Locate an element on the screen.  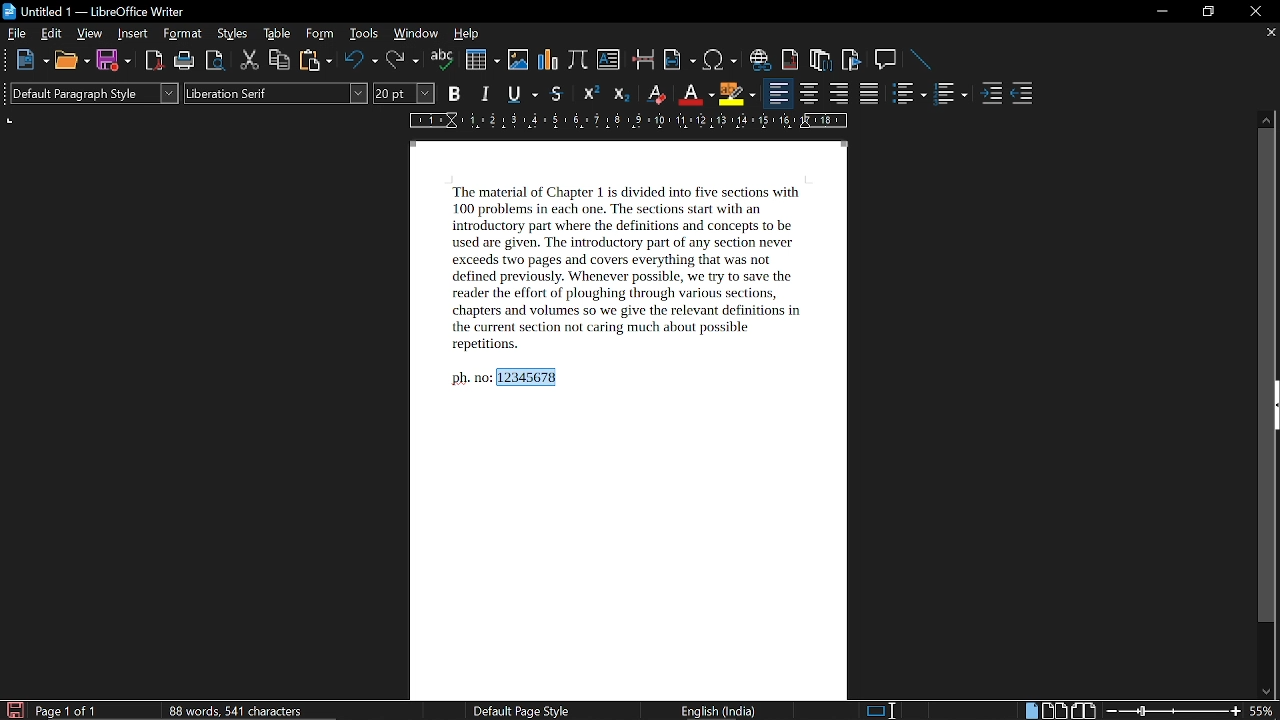
decrease indent is located at coordinates (1024, 96).